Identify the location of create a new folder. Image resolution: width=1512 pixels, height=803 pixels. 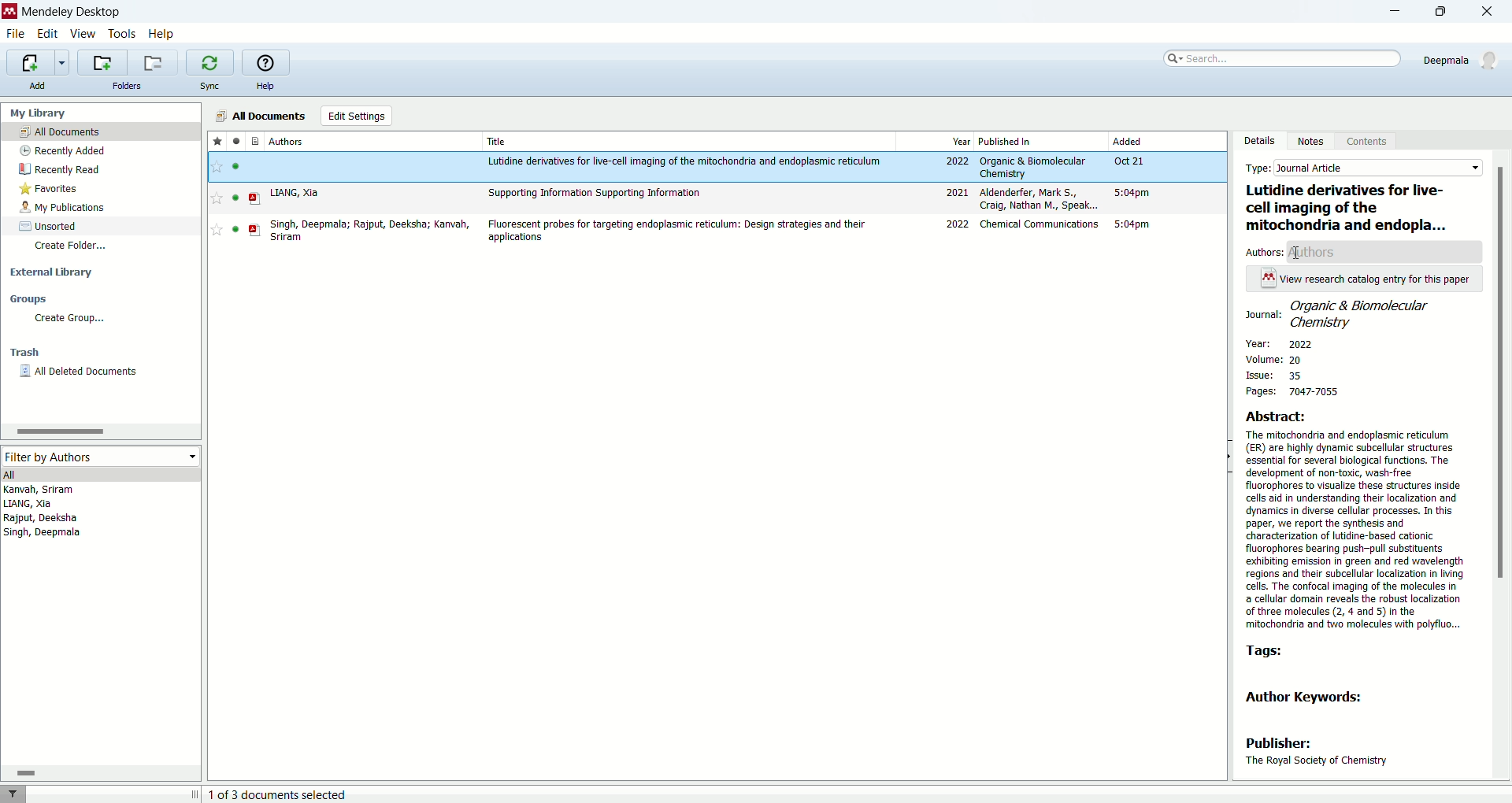
(103, 63).